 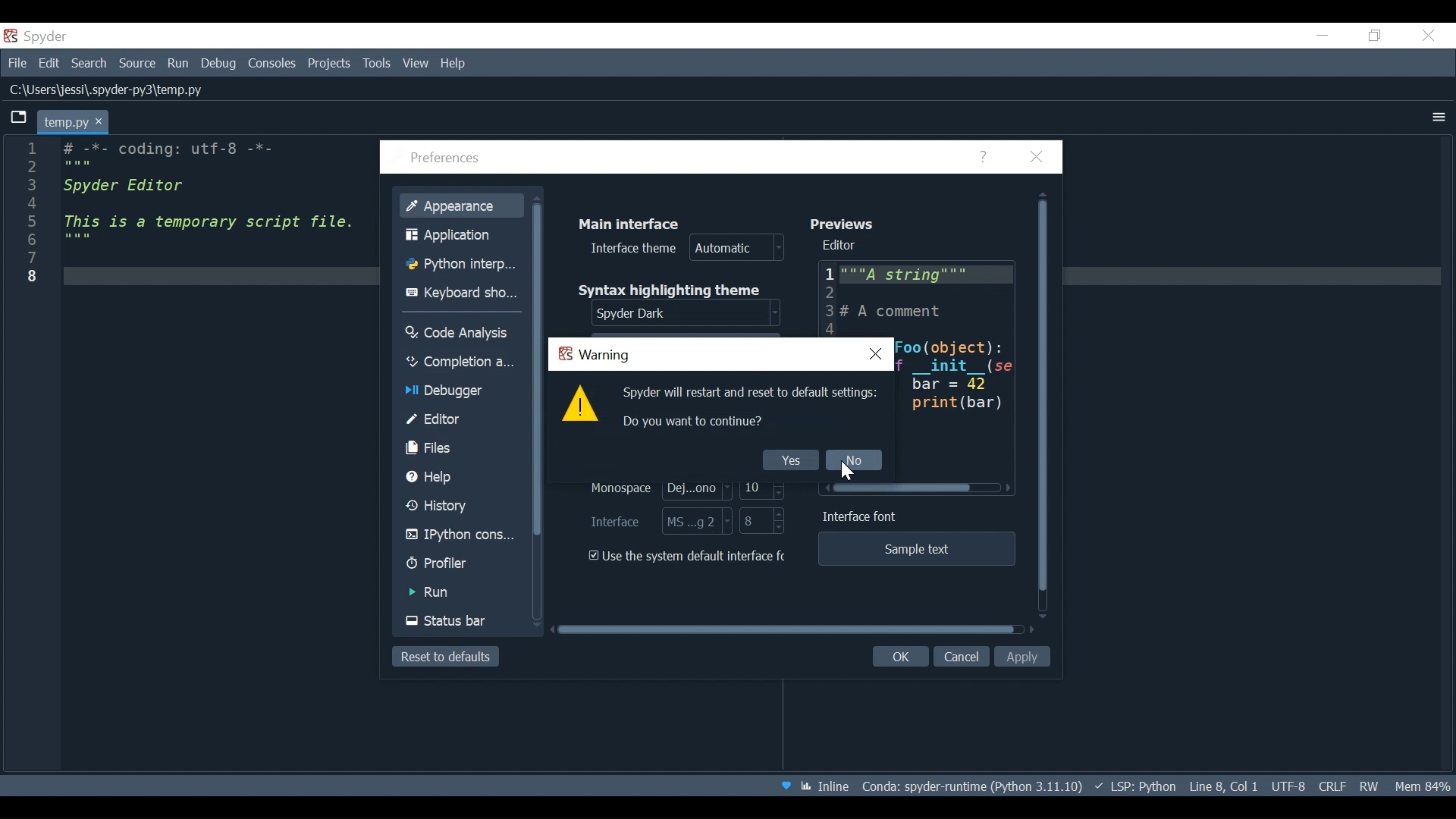 What do you see at coordinates (654, 489) in the screenshot?
I see `Font name` at bounding box center [654, 489].